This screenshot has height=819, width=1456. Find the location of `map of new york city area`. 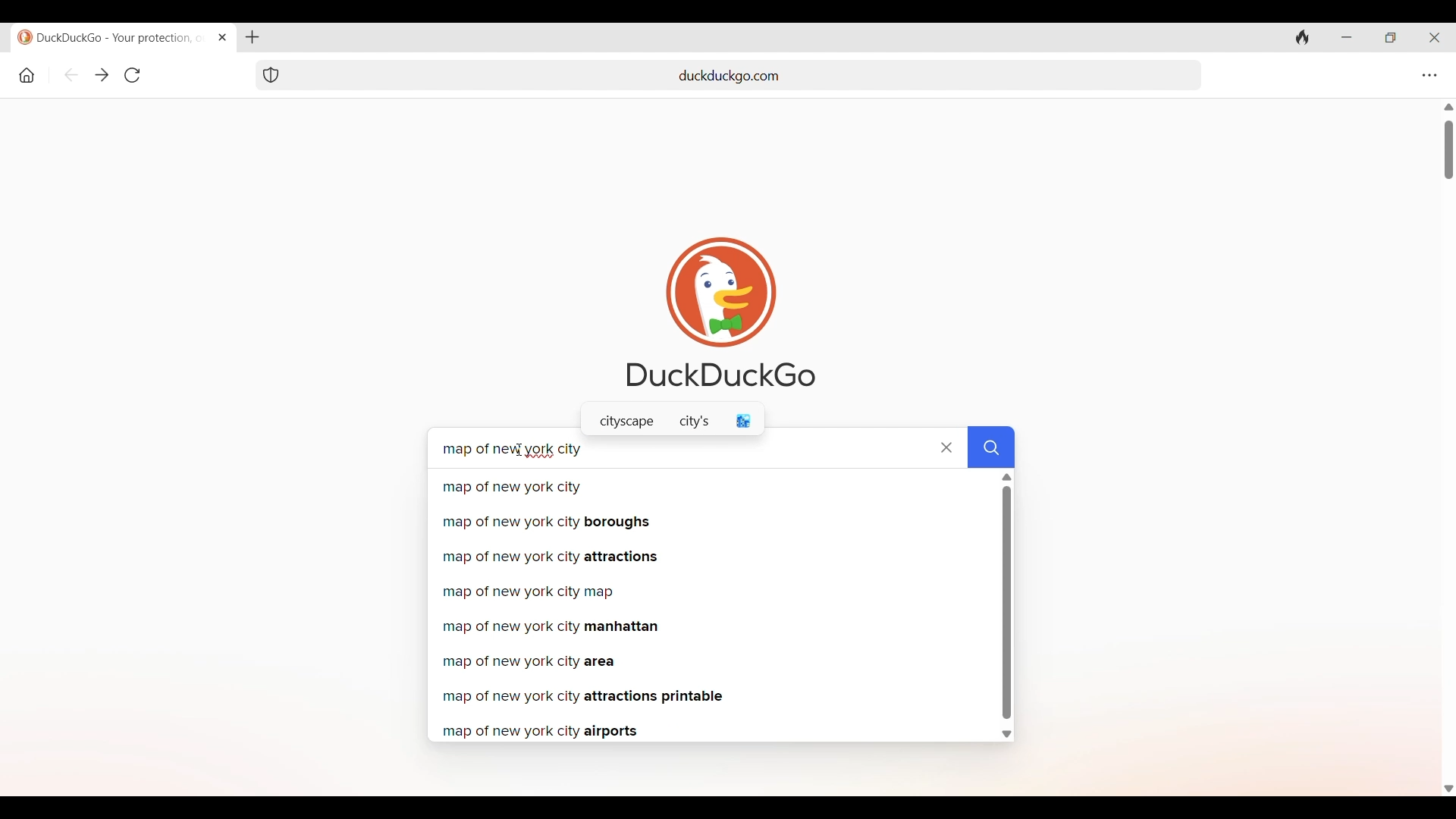

map of new york city area is located at coordinates (714, 662).